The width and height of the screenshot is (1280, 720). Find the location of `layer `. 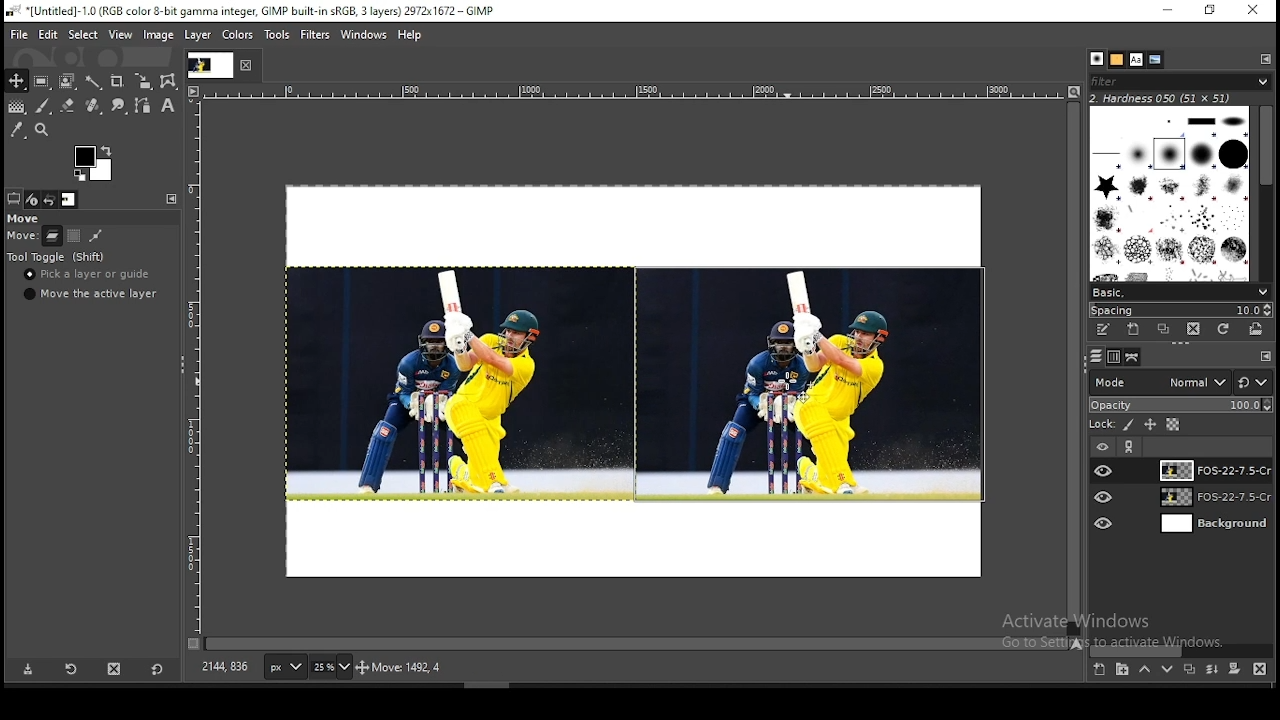

layer  is located at coordinates (1212, 499).